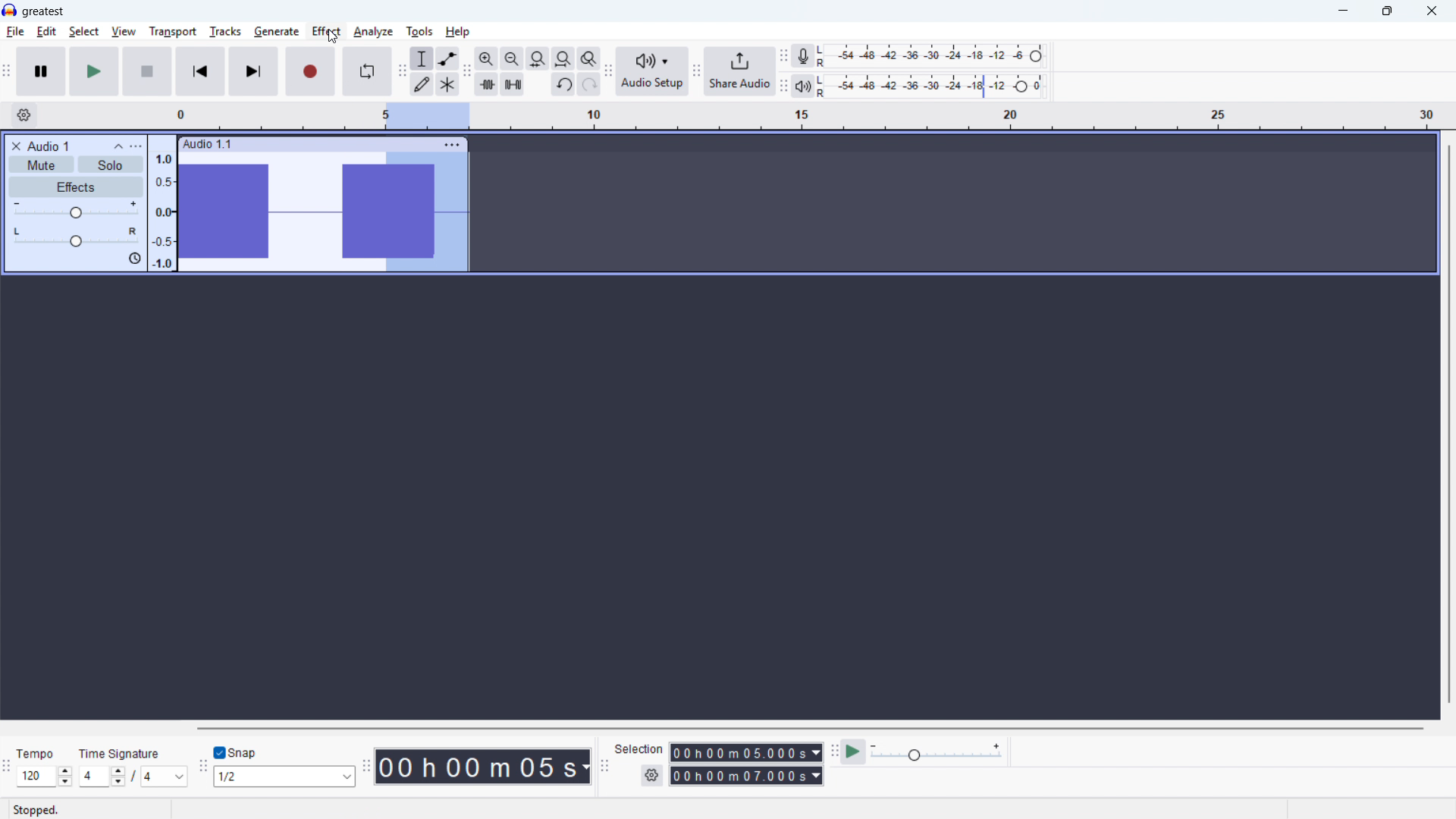 The height and width of the screenshot is (819, 1456). What do you see at coordinates (24, 115) in the screenshot?
I see `Timeline settings ` at bounding box center [24, 115].